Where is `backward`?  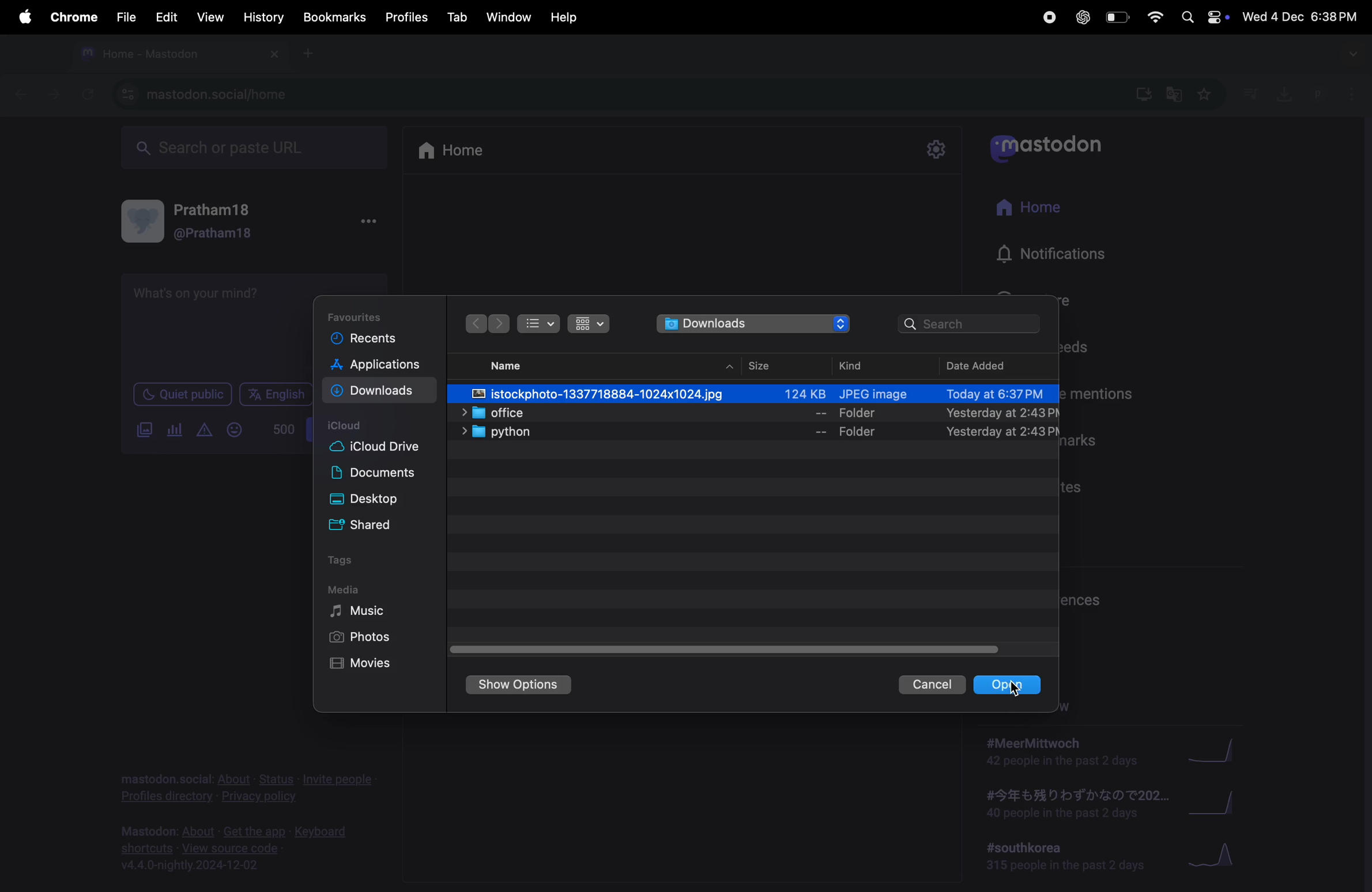 backward is located at coordinates (16, 96).